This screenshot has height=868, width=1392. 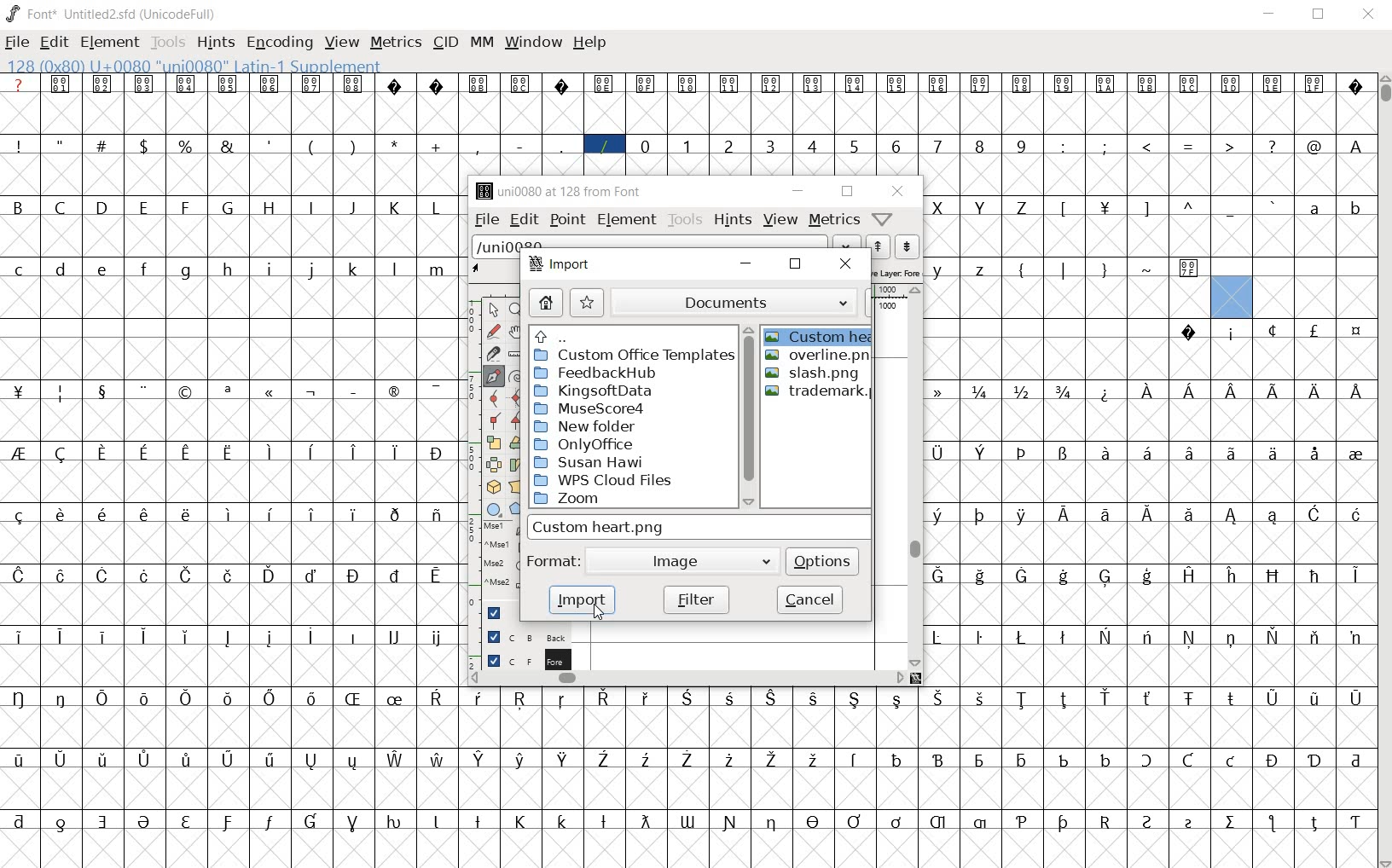 What do you see at coordinates (143, 146) in the screenshot?
I see `glyph` at bounding box center [143, 146].